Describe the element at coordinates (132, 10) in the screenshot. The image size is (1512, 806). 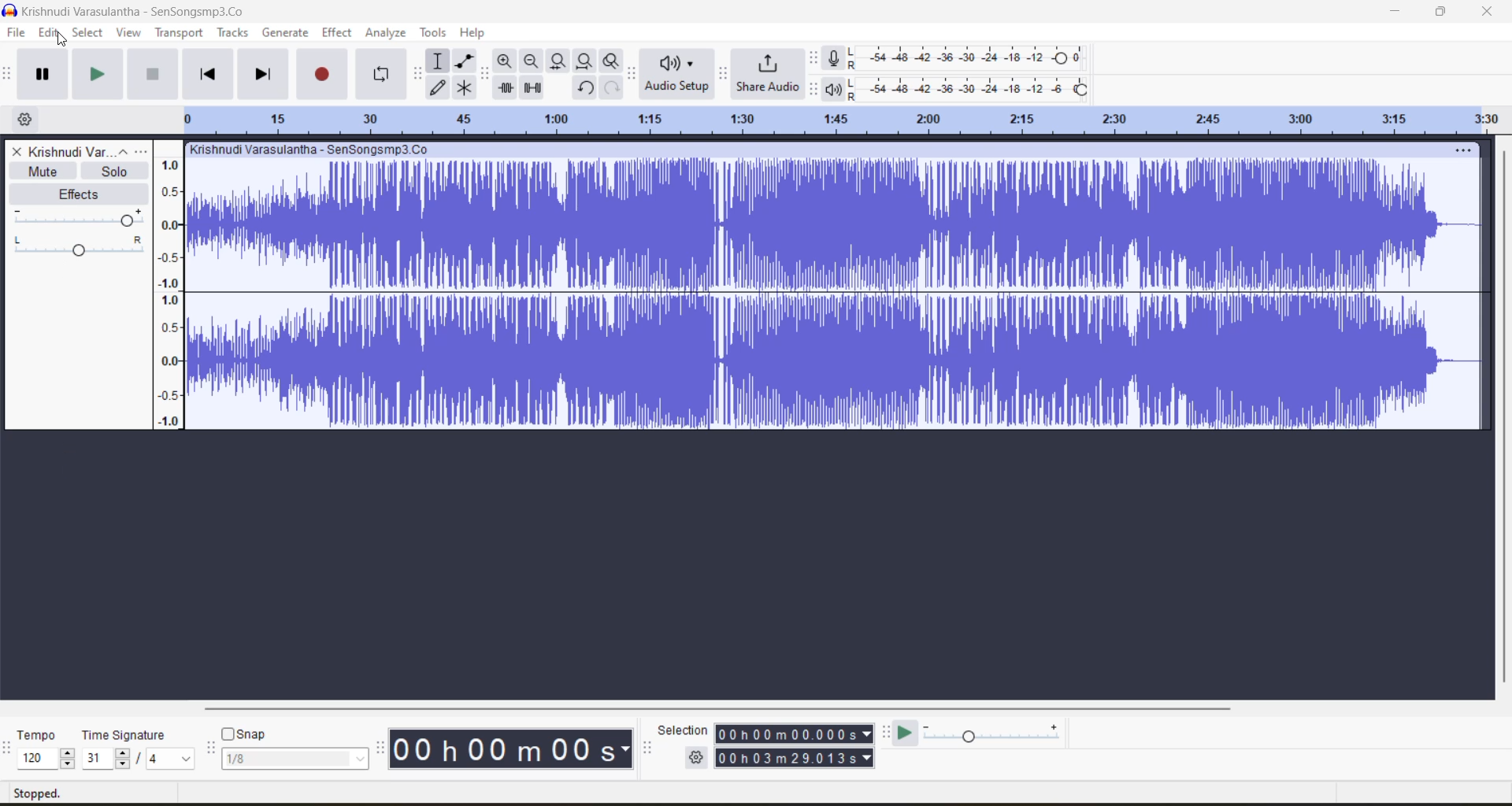
I see `file name and app name` at that location.